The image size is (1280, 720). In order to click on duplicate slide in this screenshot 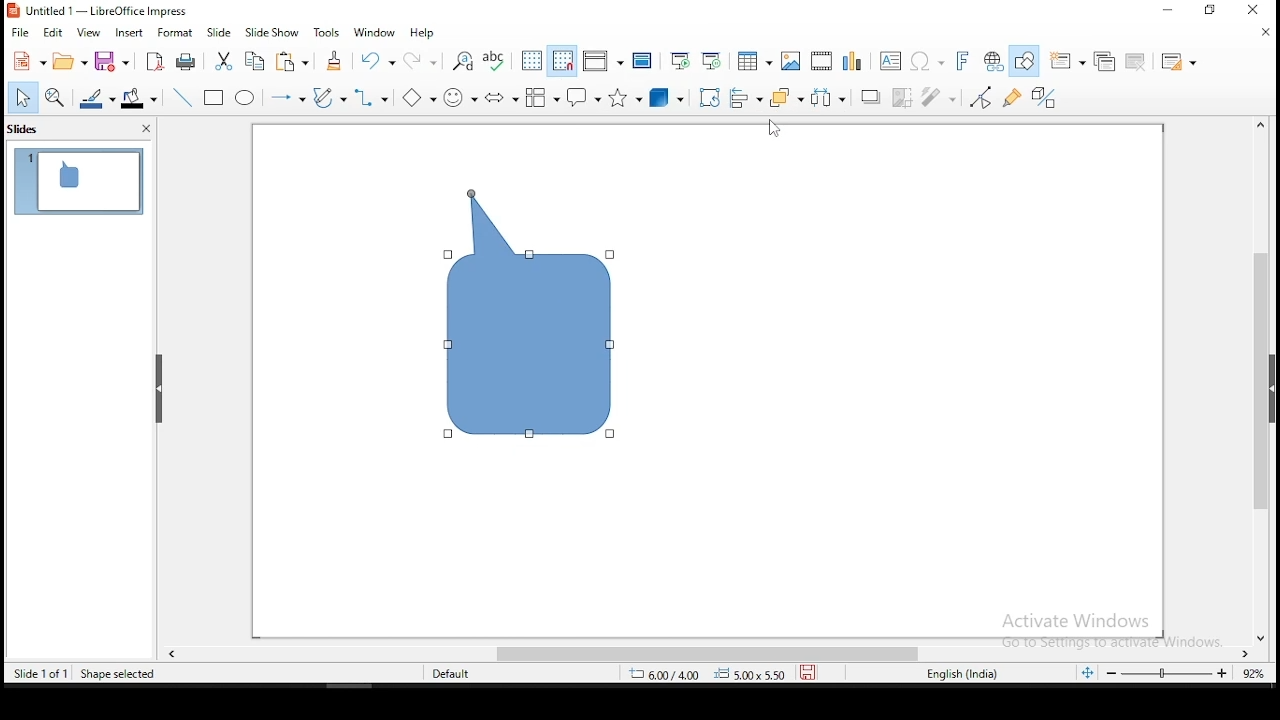, I will do `click(1106, 60)`.